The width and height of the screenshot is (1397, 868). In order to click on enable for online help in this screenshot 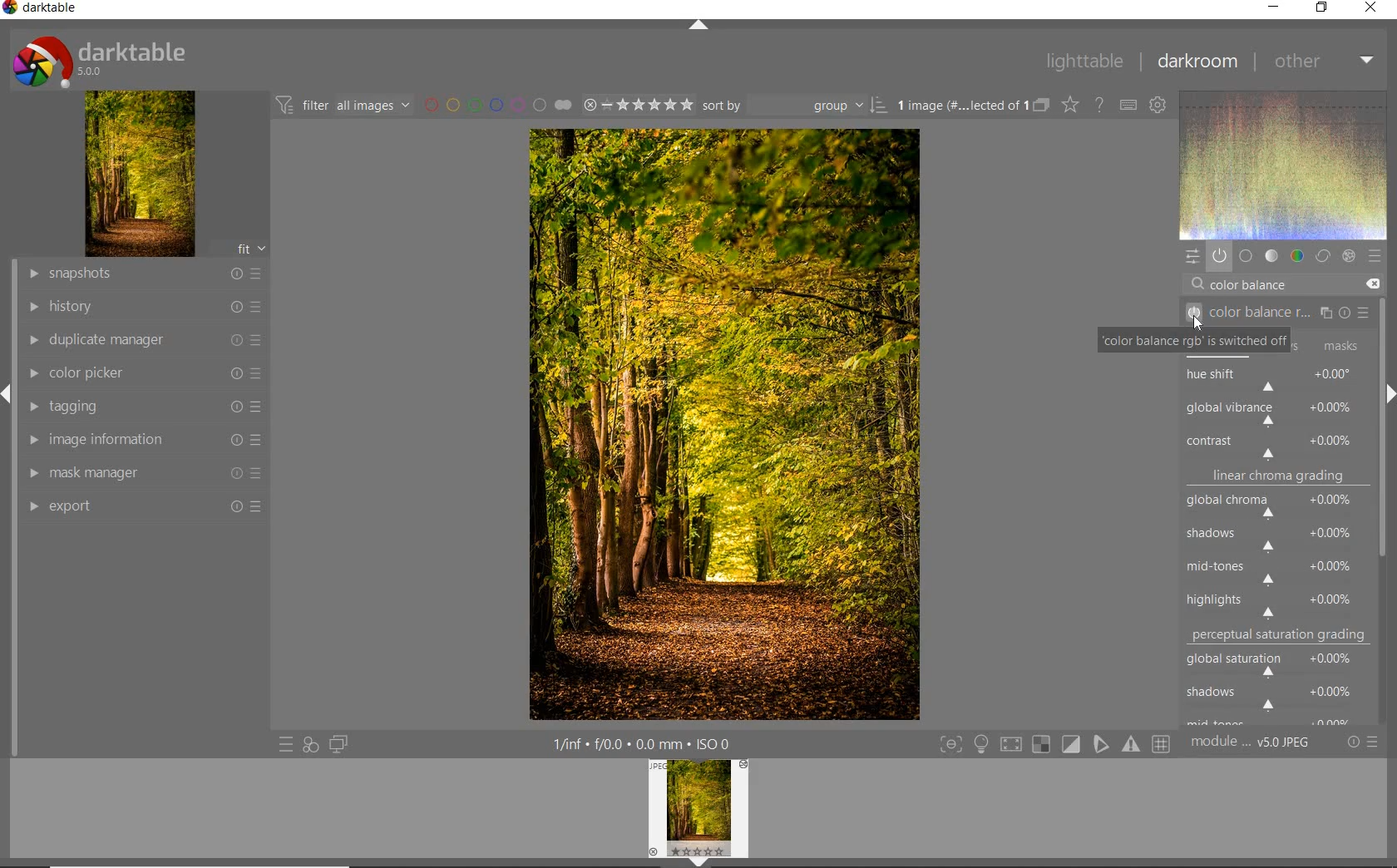, I will do `click(1101, 105)`.